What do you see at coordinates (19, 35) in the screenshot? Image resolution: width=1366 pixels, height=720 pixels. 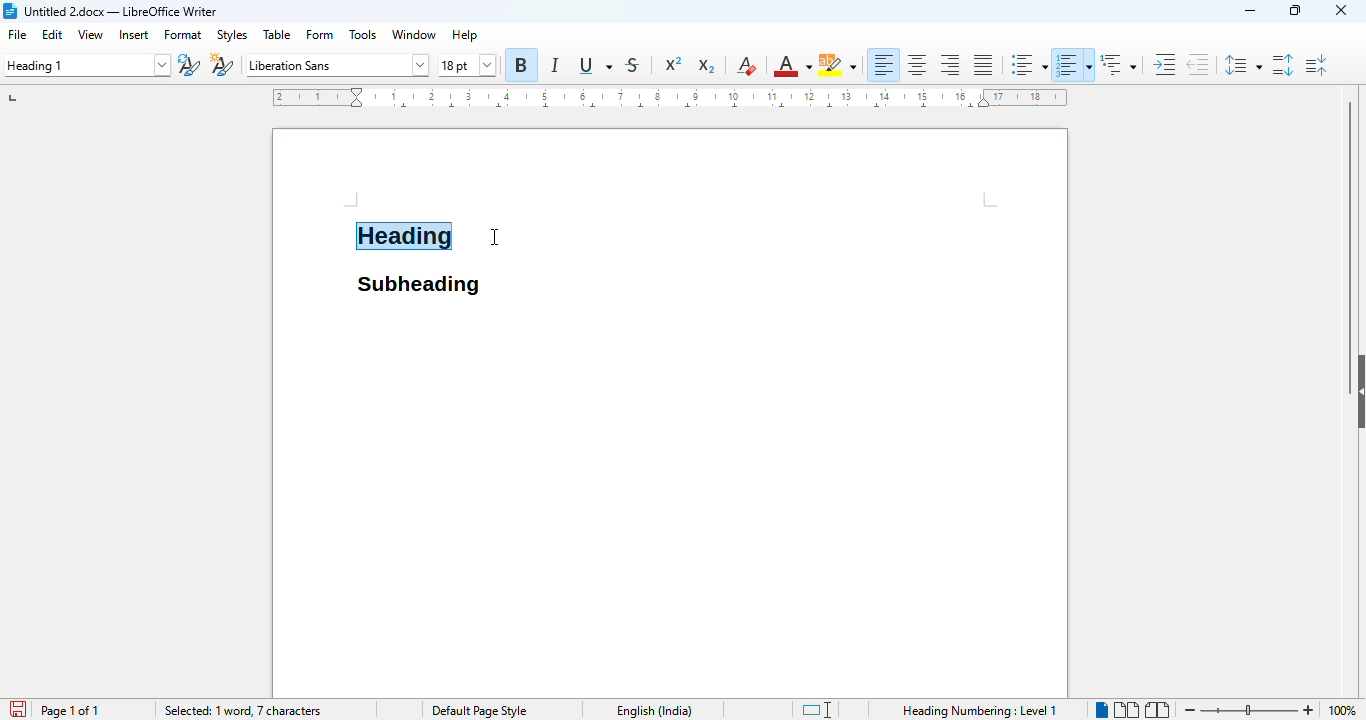 I see `file` at bounding box center [19, 35].